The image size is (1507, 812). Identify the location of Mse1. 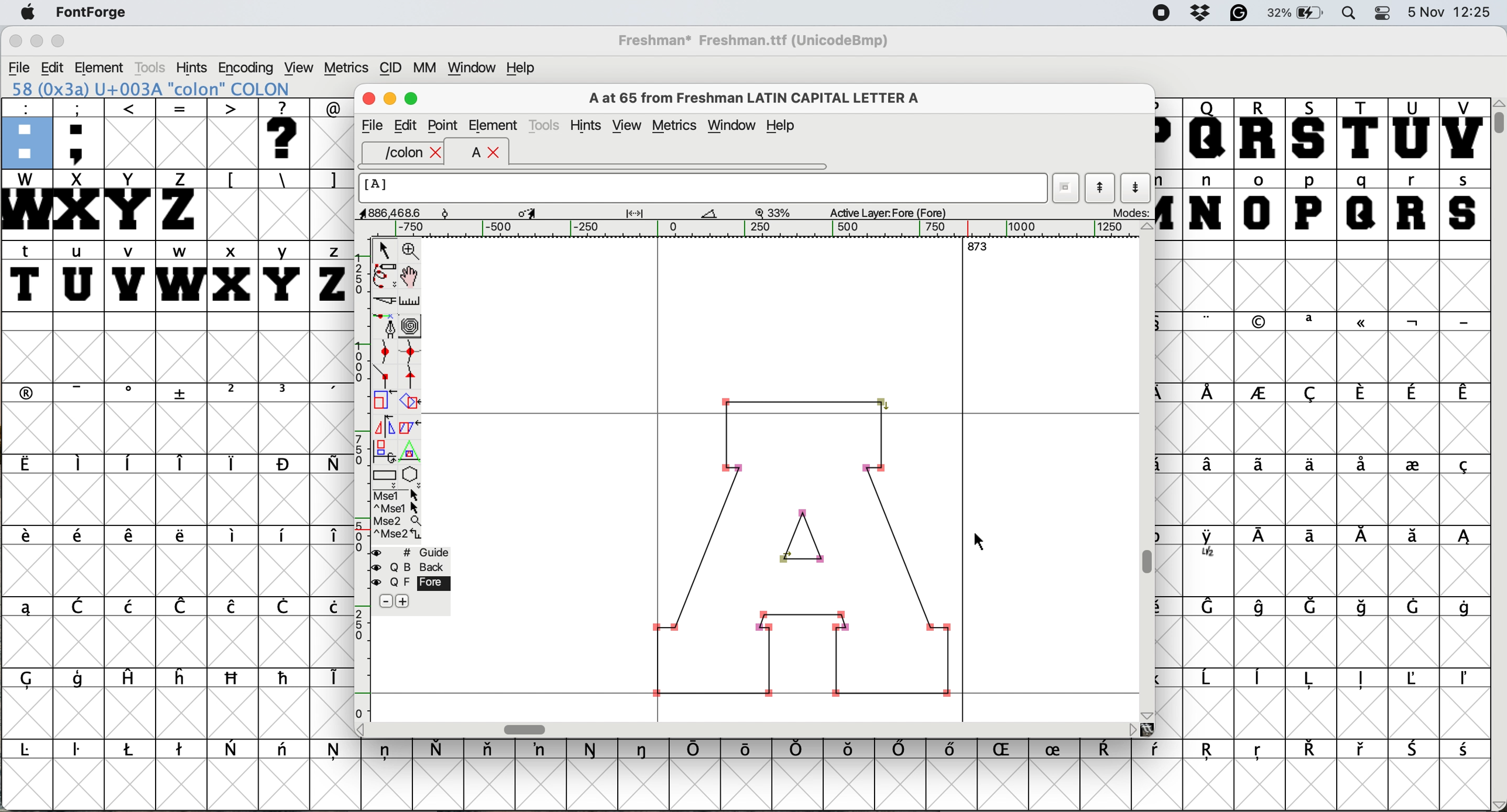
(399, 493).